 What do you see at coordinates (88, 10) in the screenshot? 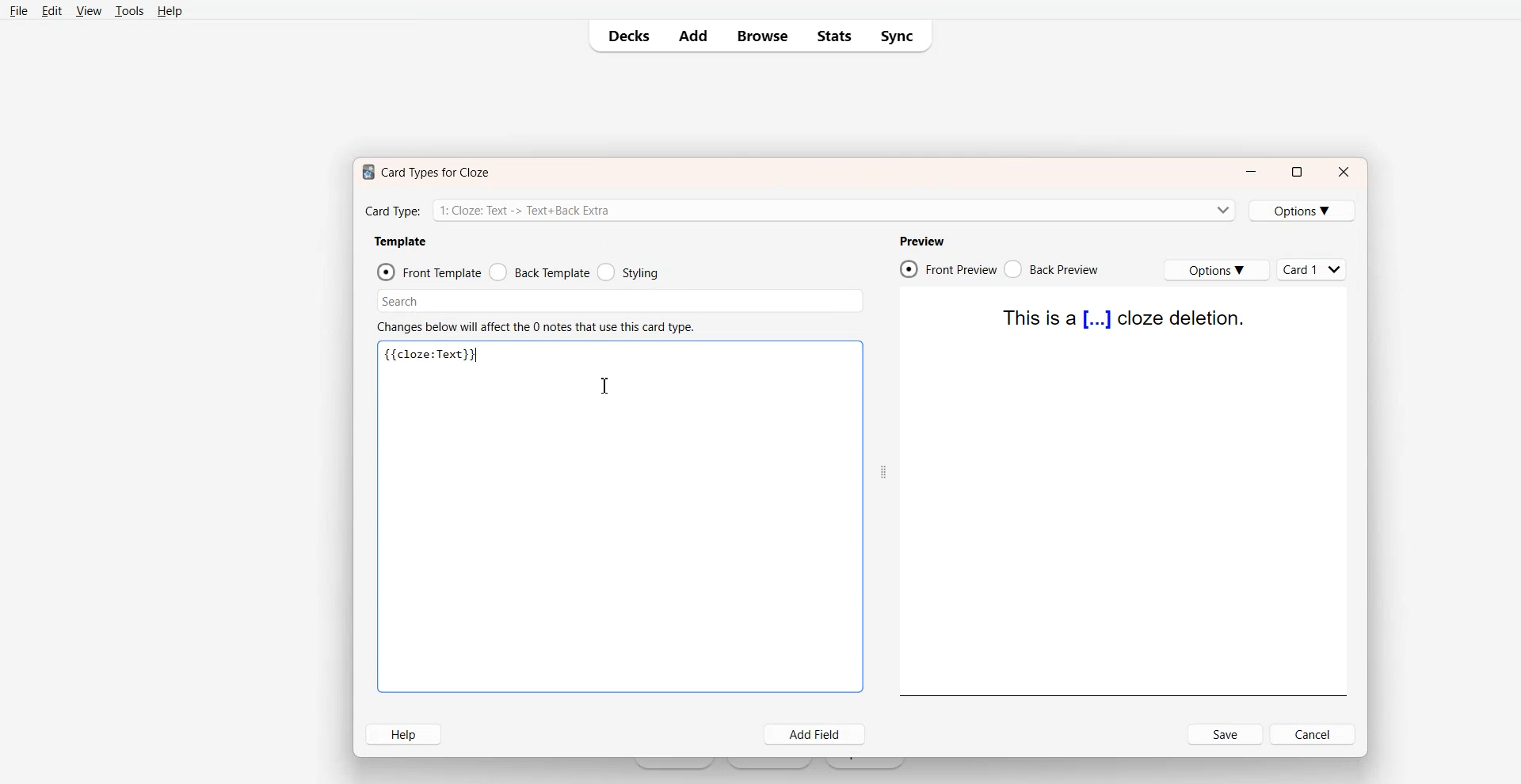
I see `View` at bounding box center [88, 10].